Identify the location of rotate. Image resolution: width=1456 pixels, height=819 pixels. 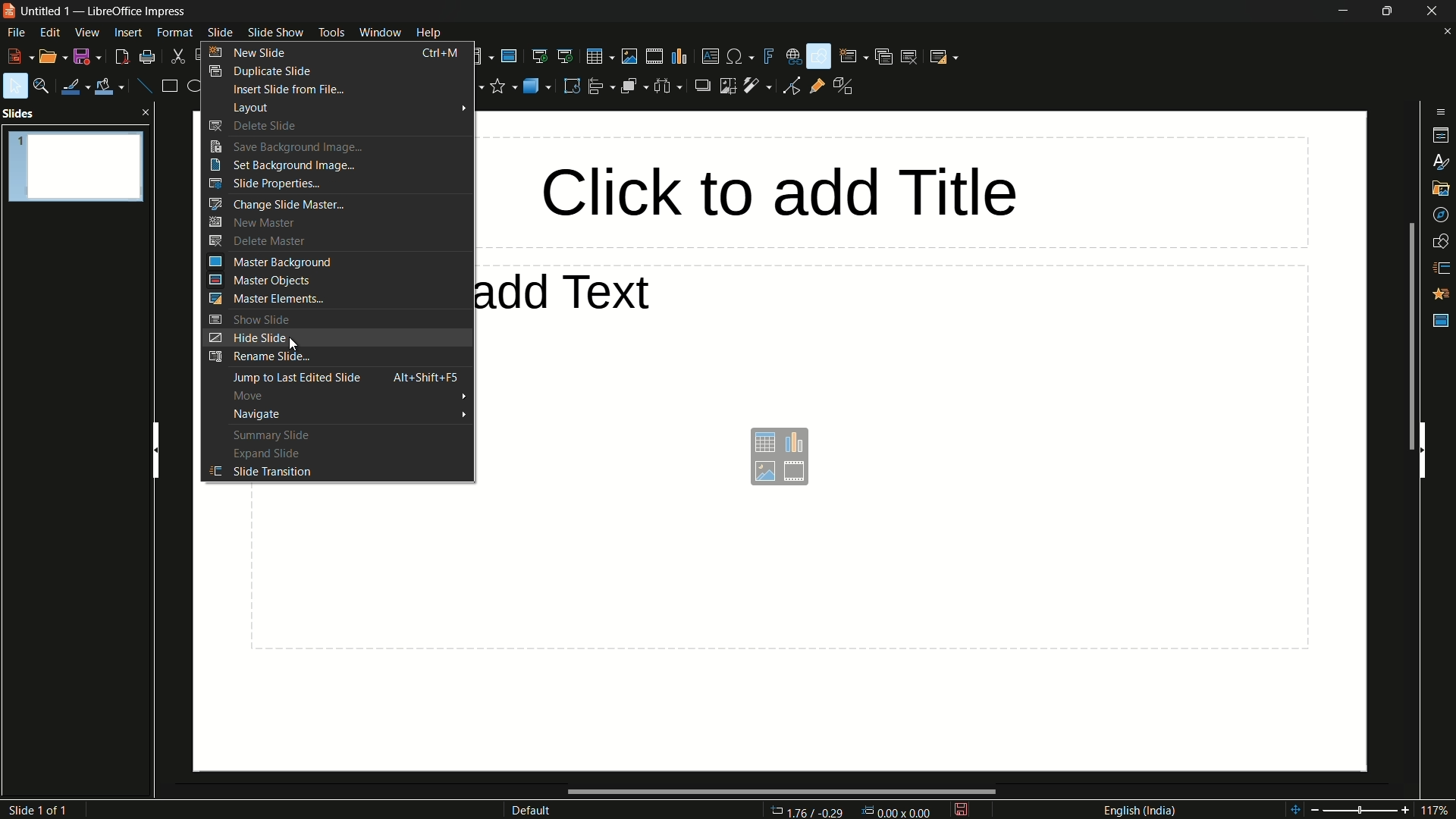
(572, 86).